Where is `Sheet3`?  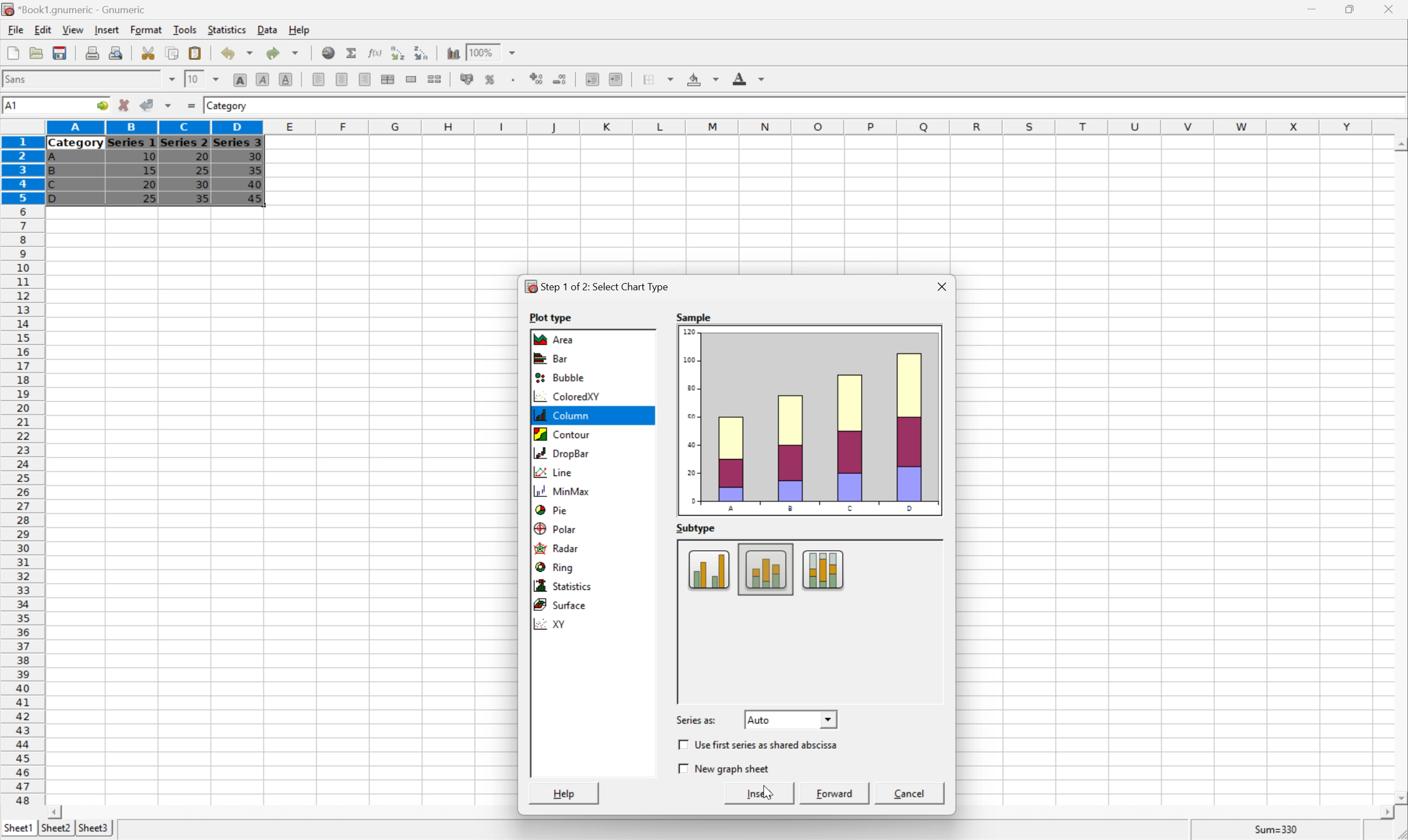 Sheet3 is located at coordinates (95, 828).